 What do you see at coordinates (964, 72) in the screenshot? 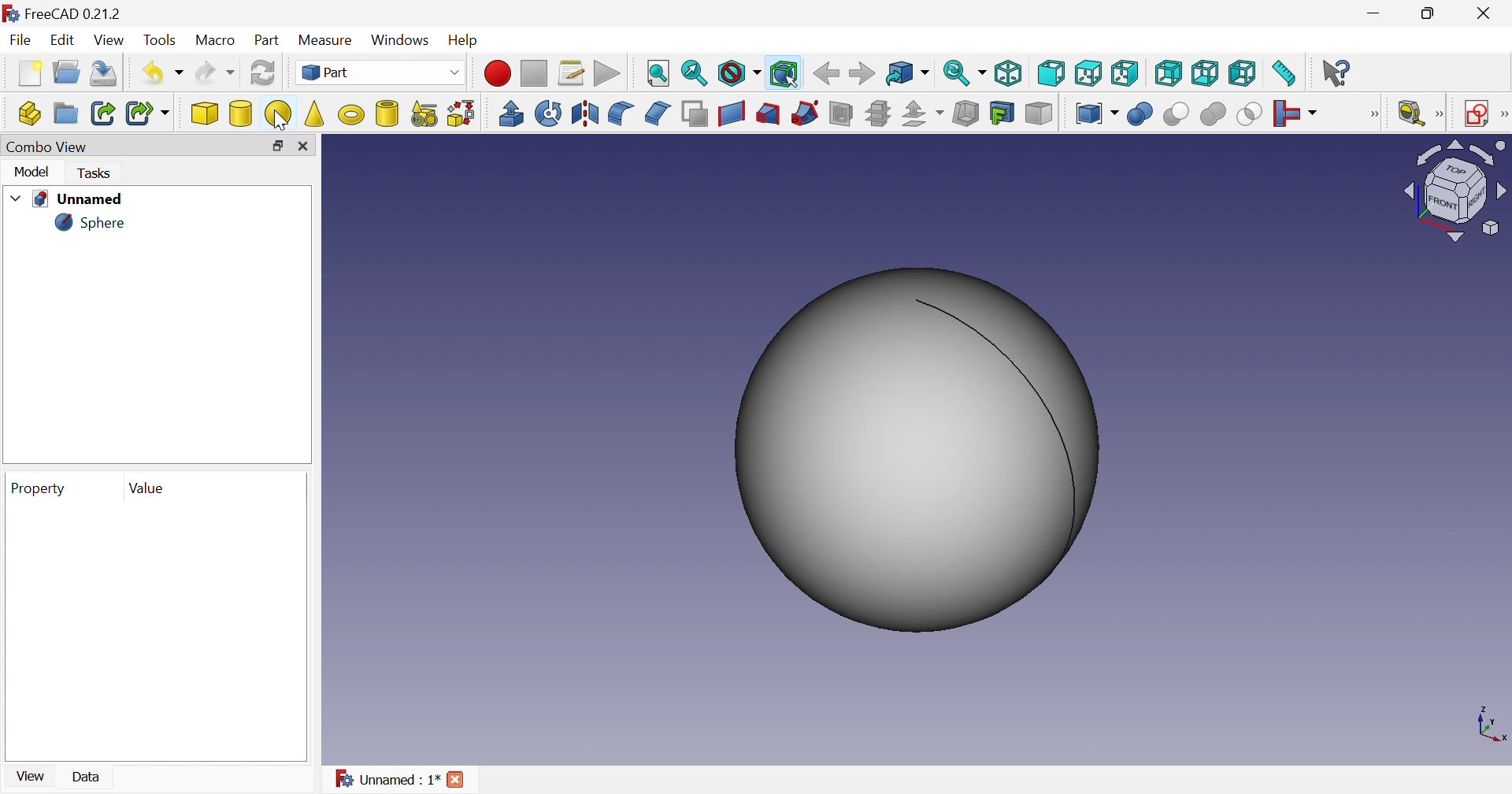
I see `Sync view` at bounding box center [964, 72].